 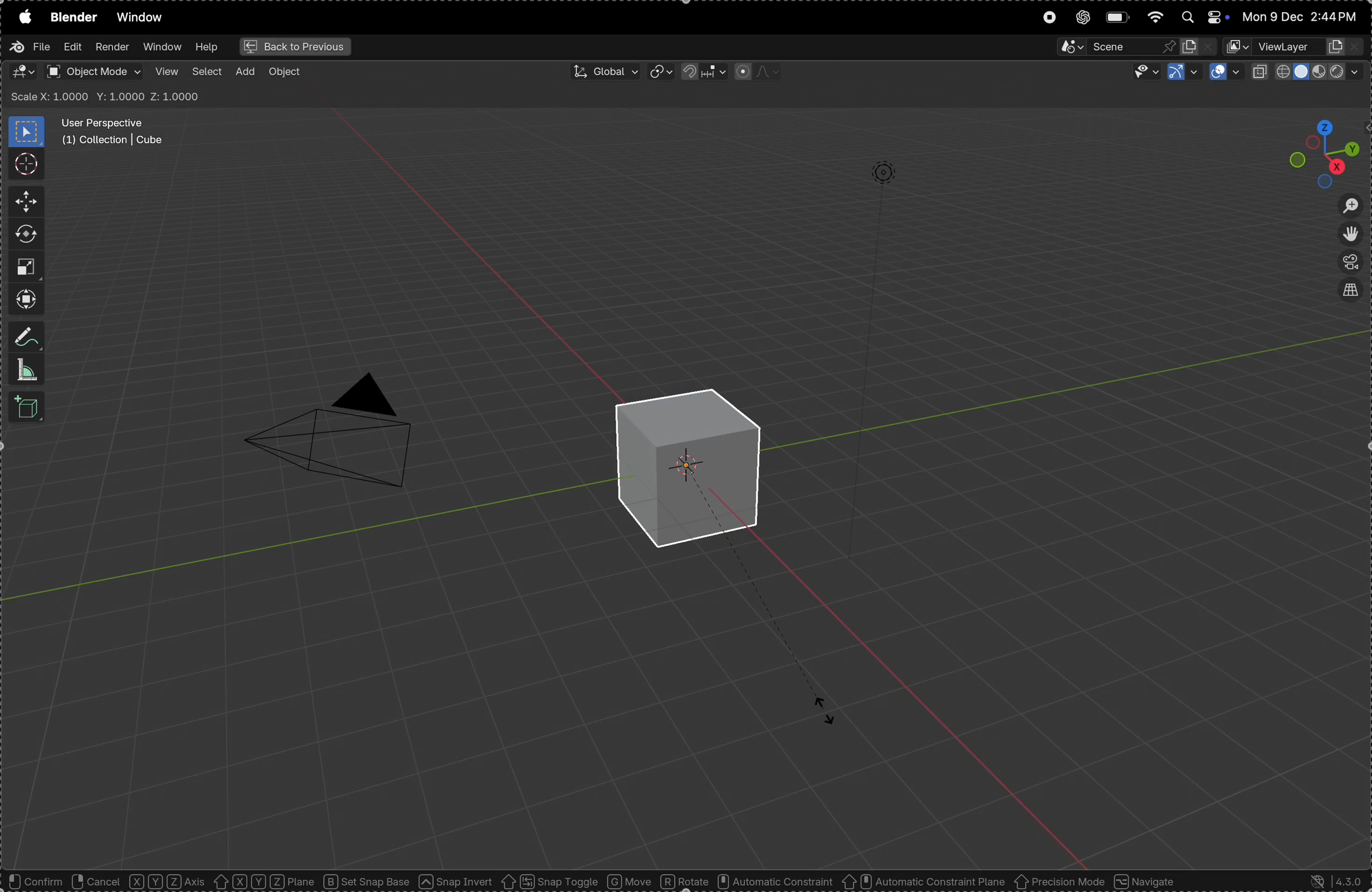 What do you see at coordinates (25, 336) in the screenshot?
I see `annotate ` at bounding box center [25, 336].